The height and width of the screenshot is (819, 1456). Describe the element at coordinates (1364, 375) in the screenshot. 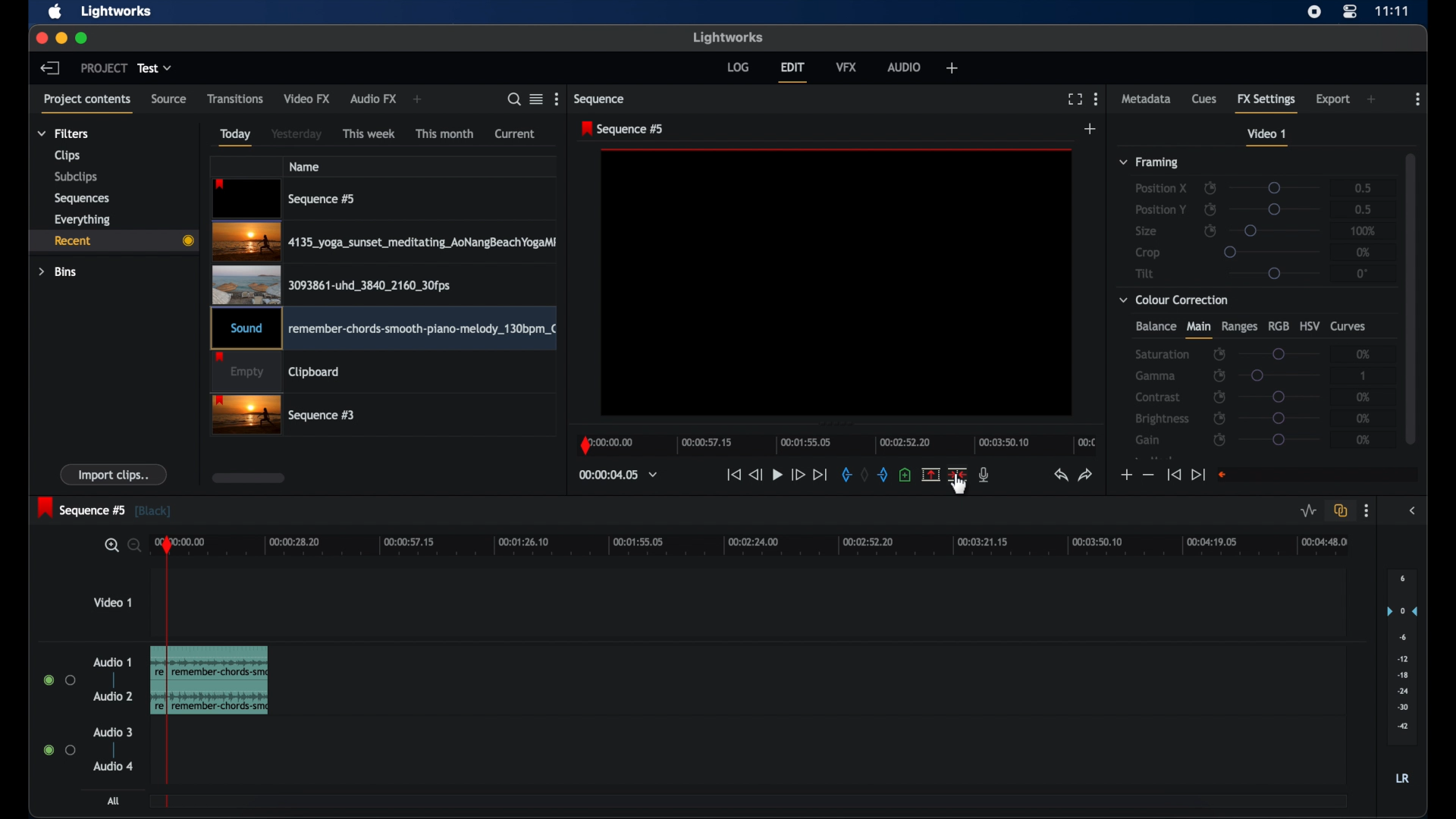

I see `1` at that location.